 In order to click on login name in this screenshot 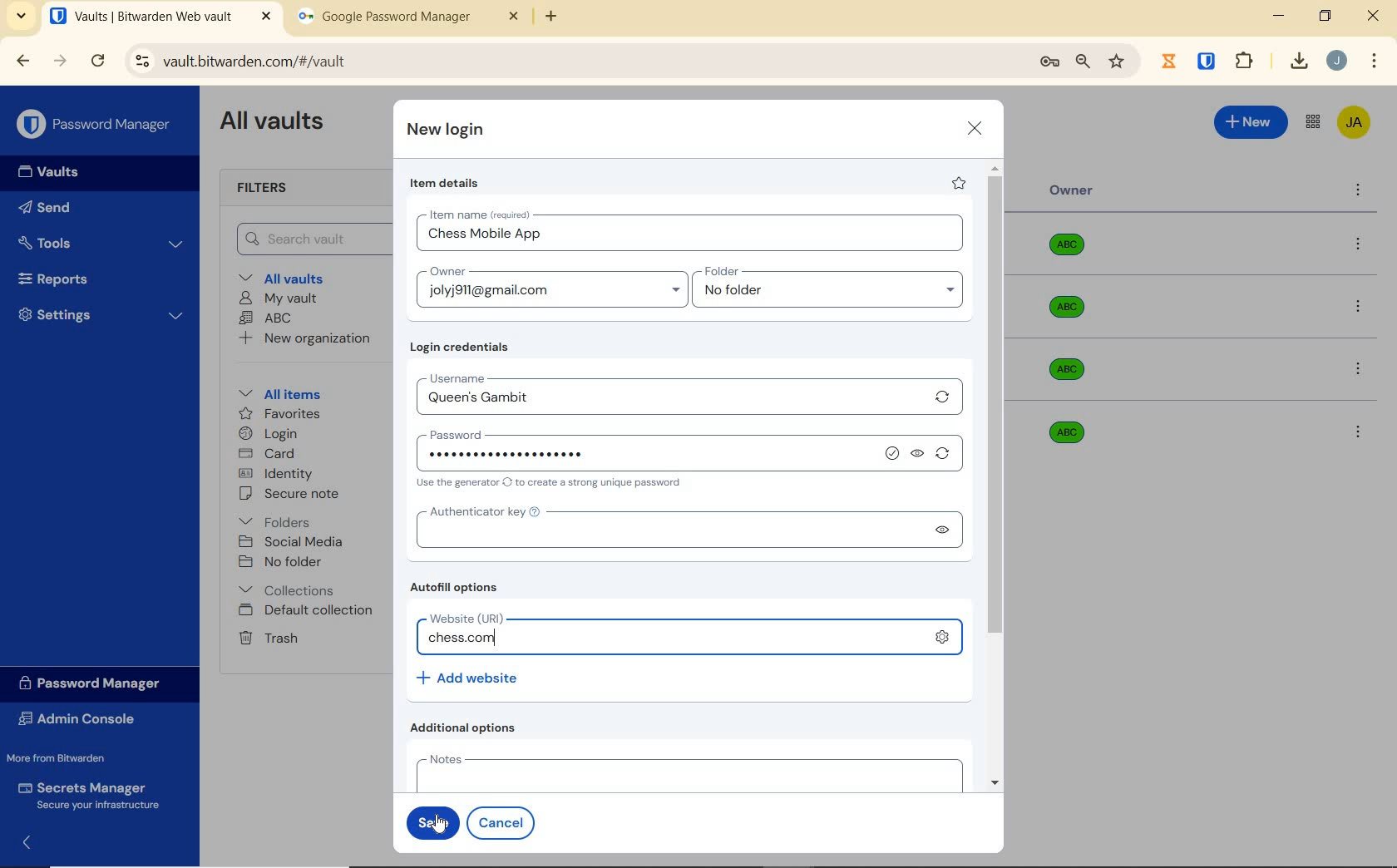, I will do `click(693, 238)`.